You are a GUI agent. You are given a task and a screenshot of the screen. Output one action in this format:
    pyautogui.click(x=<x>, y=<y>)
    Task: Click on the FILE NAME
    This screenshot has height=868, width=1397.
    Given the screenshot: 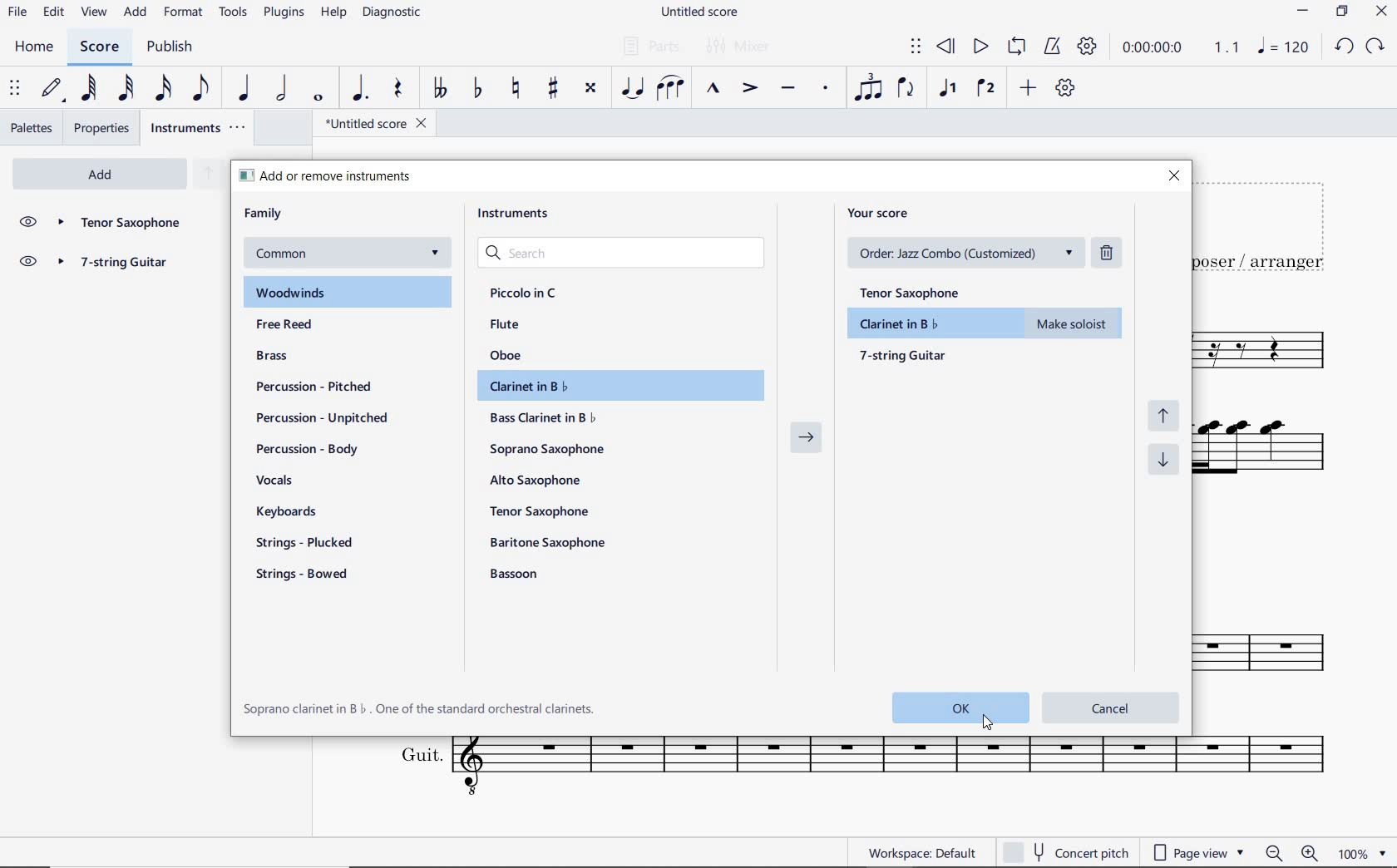 What is the action you would take?
    pyautogui.click(x=370, y=126)
    